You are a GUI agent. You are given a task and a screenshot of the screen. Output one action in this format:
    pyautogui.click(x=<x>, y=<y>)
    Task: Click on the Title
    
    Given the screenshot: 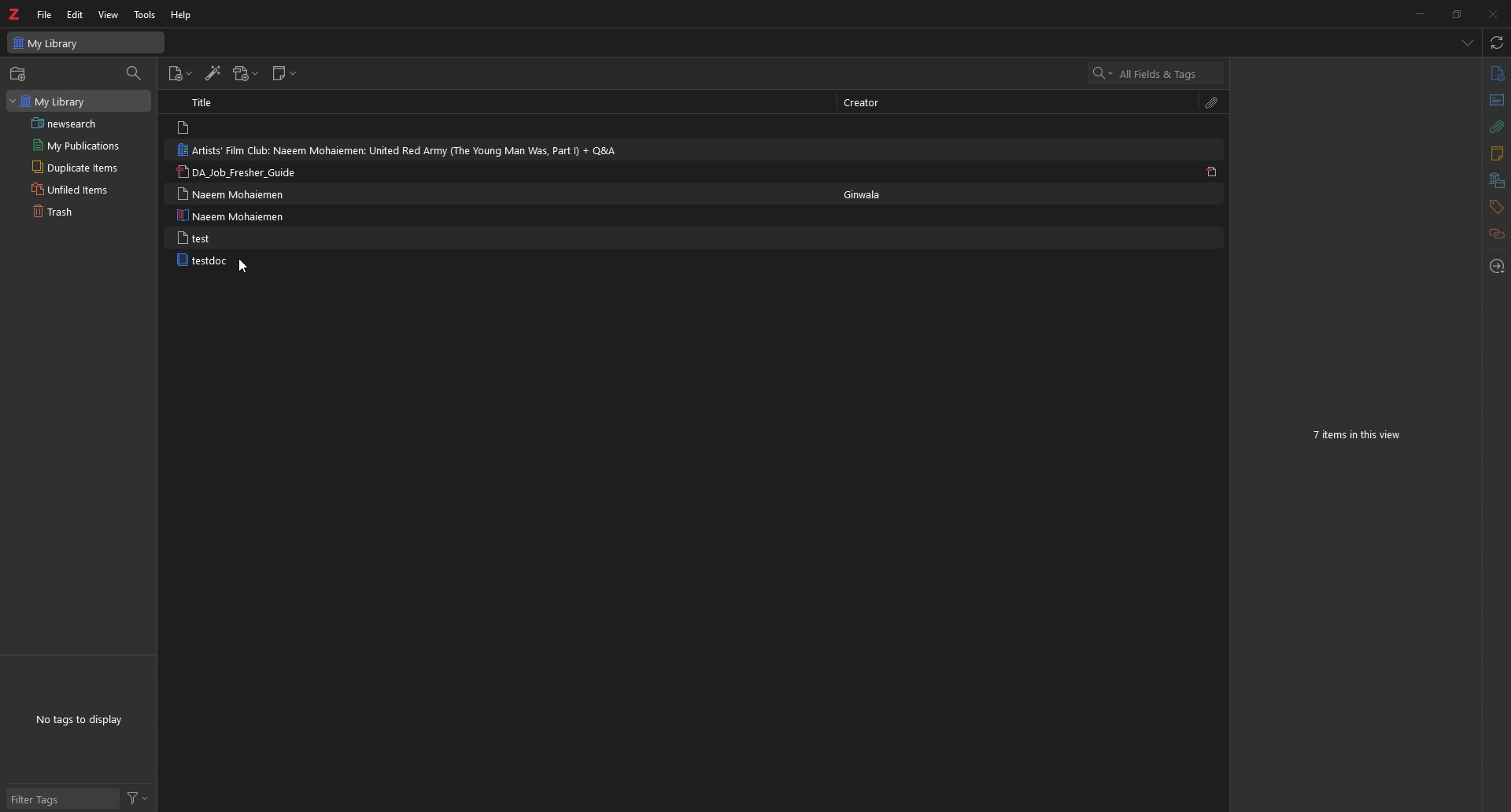 What is the action you would take?
    pyautogui.click(x=205, y=102)
    